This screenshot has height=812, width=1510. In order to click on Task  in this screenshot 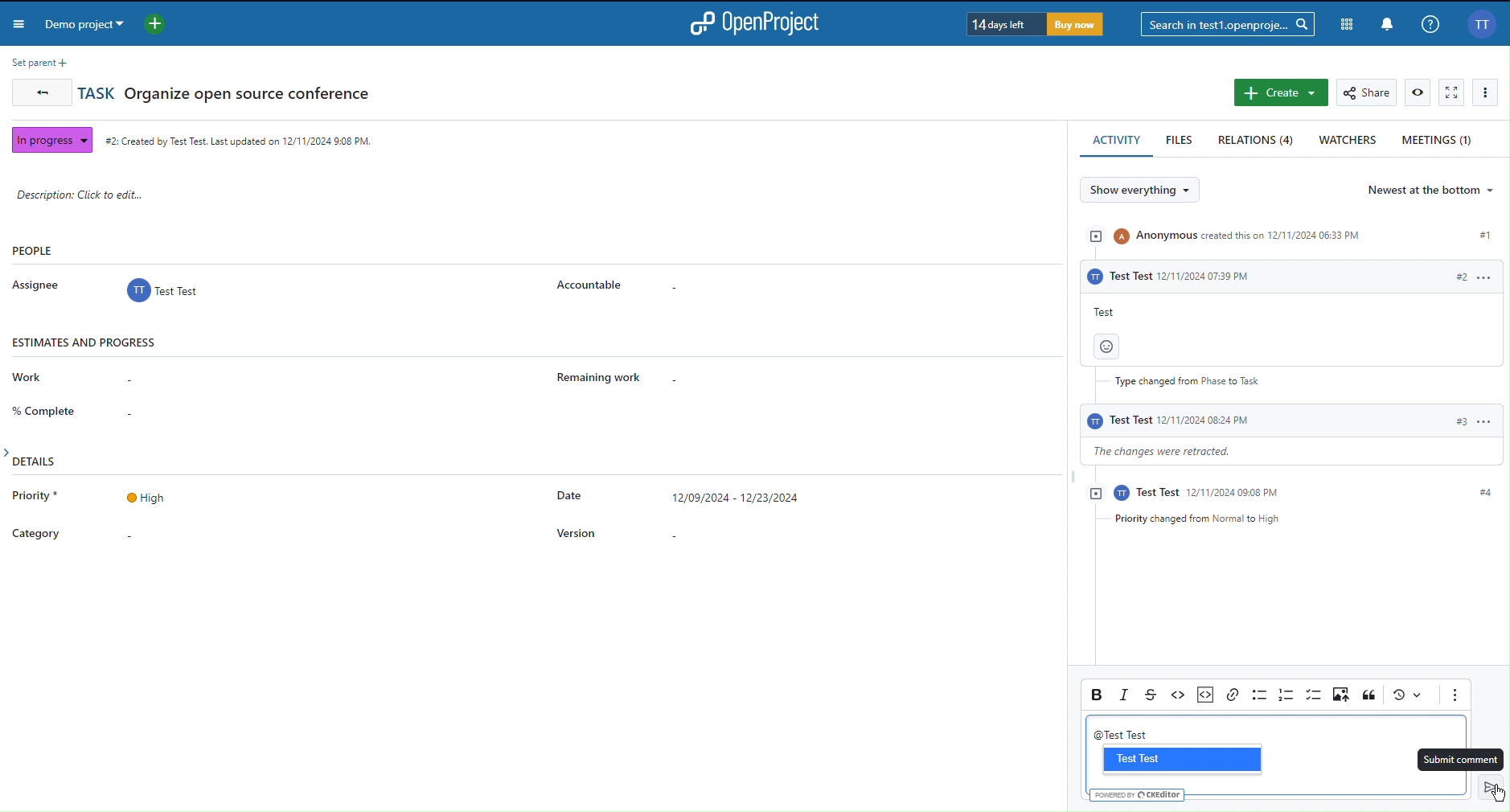, I will do `click(227, 92)`.